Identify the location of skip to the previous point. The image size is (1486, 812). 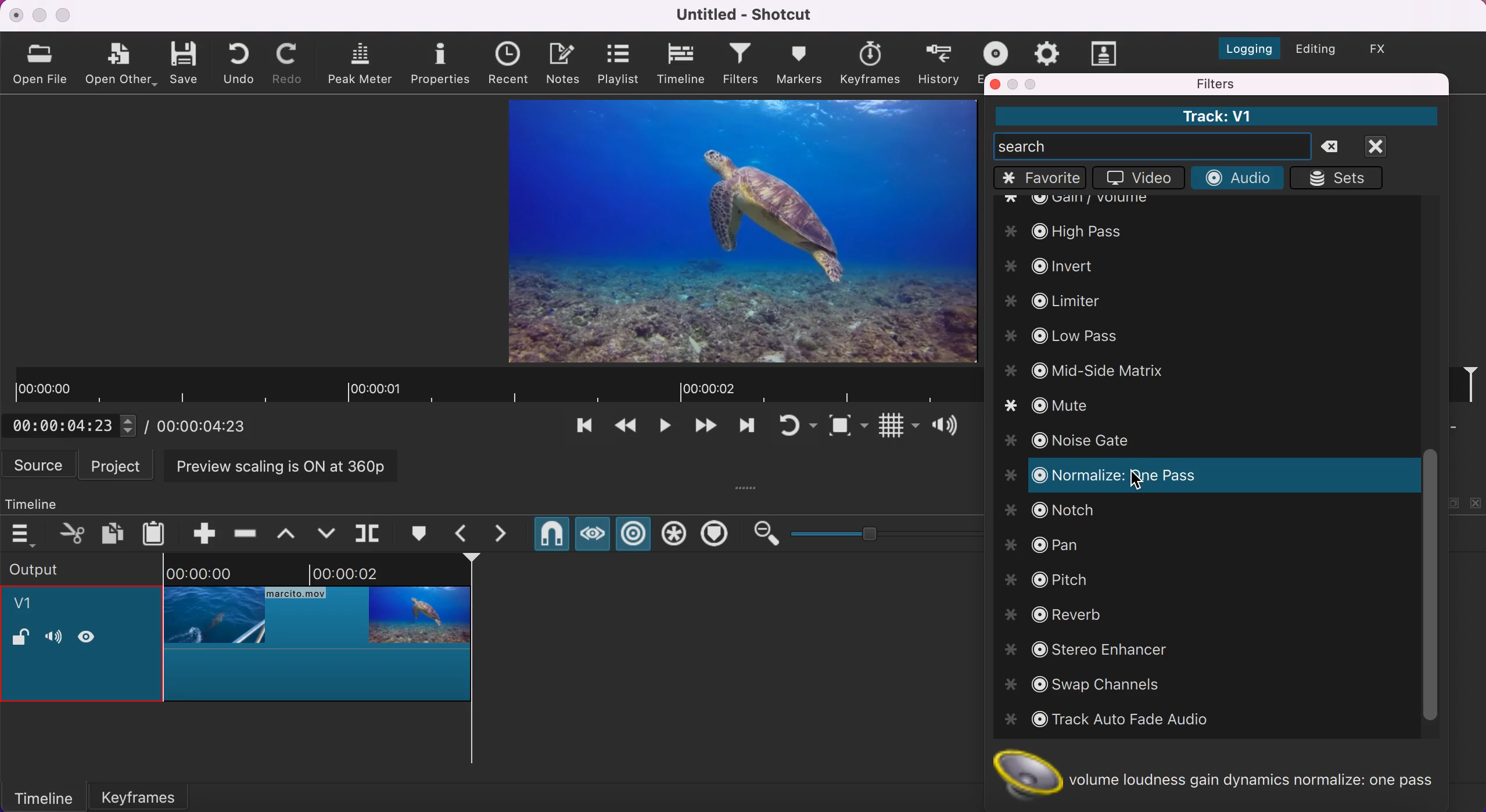
(580, 429).